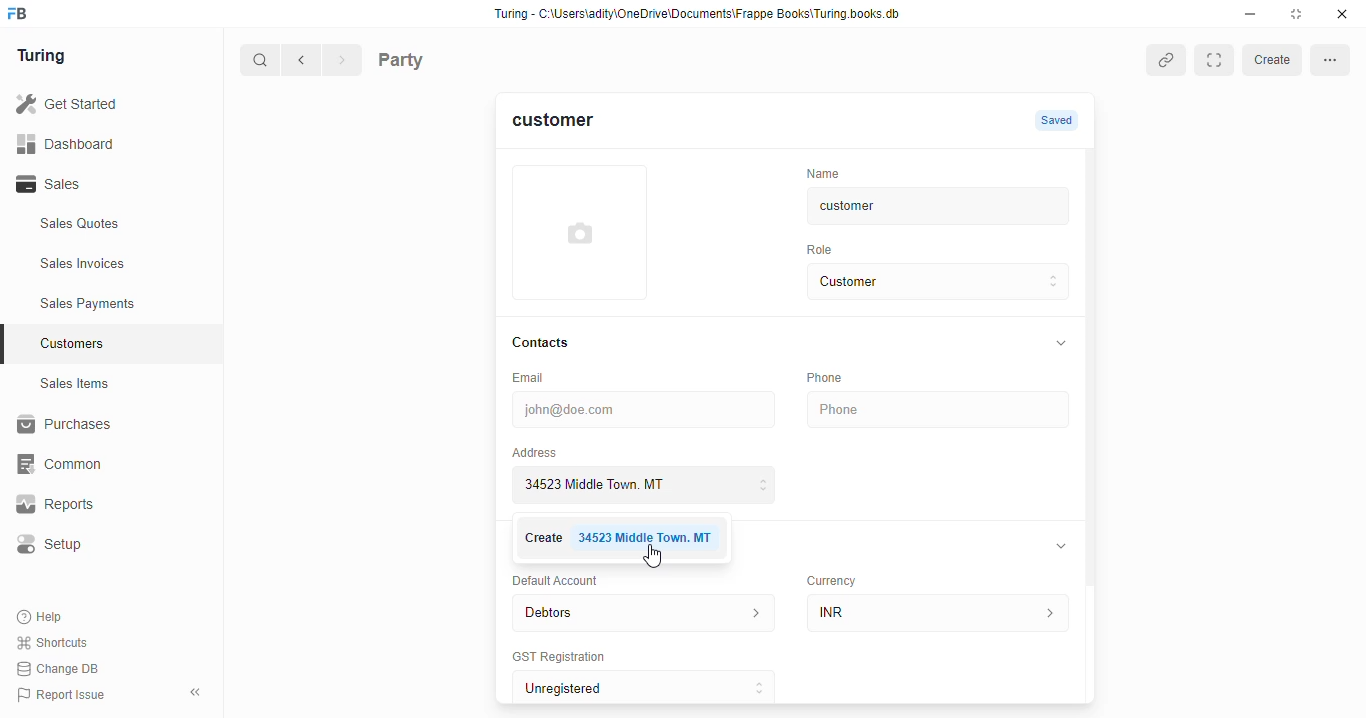 This screenshot has width=1366, height=718. What do you see at coordinates (654, 558) in the screenshot?
I see `cursor` at bounding box center [654, 558].